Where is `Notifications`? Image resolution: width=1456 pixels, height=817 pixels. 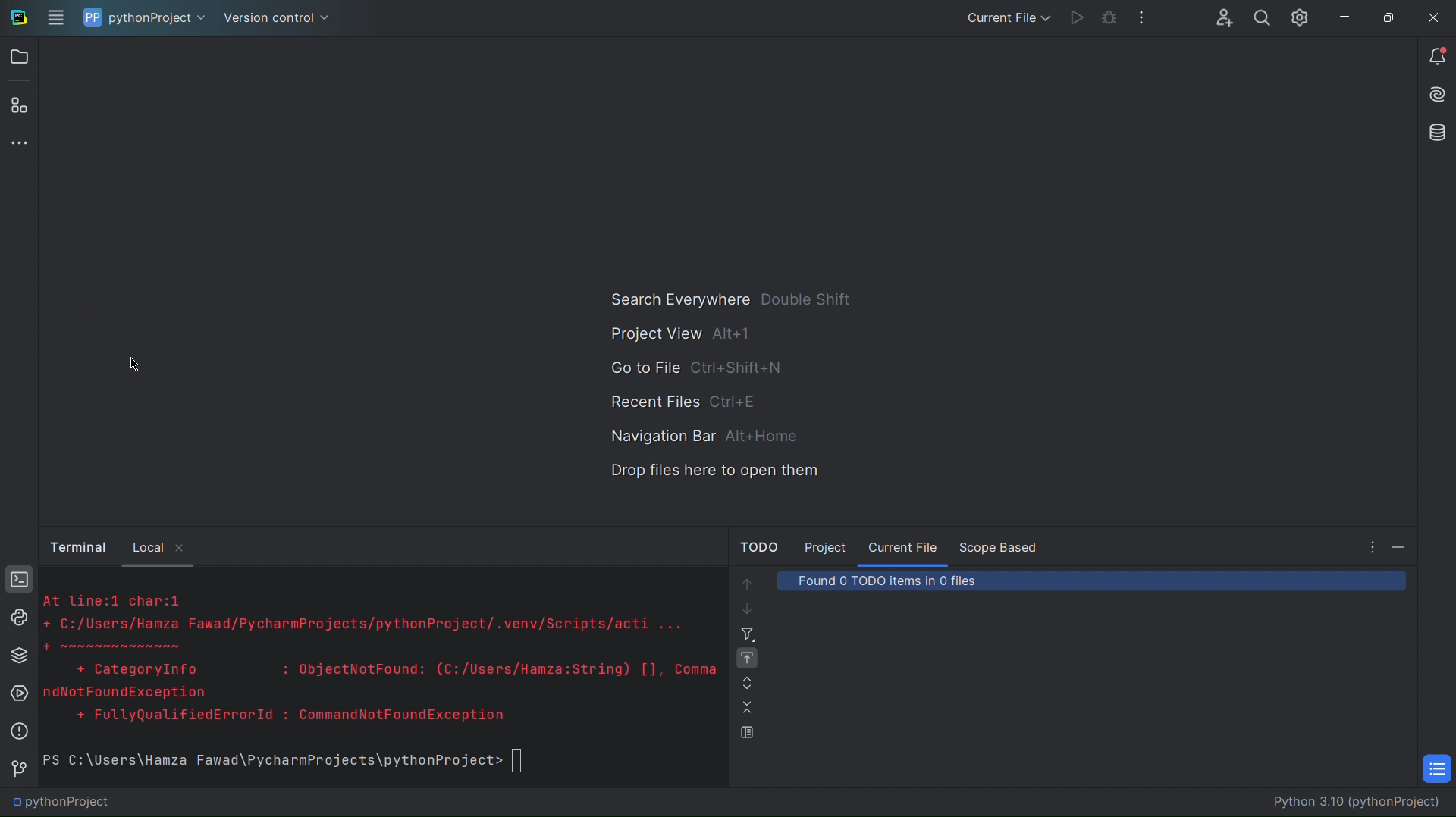
Notifications is located at coordinates (1435, 58).